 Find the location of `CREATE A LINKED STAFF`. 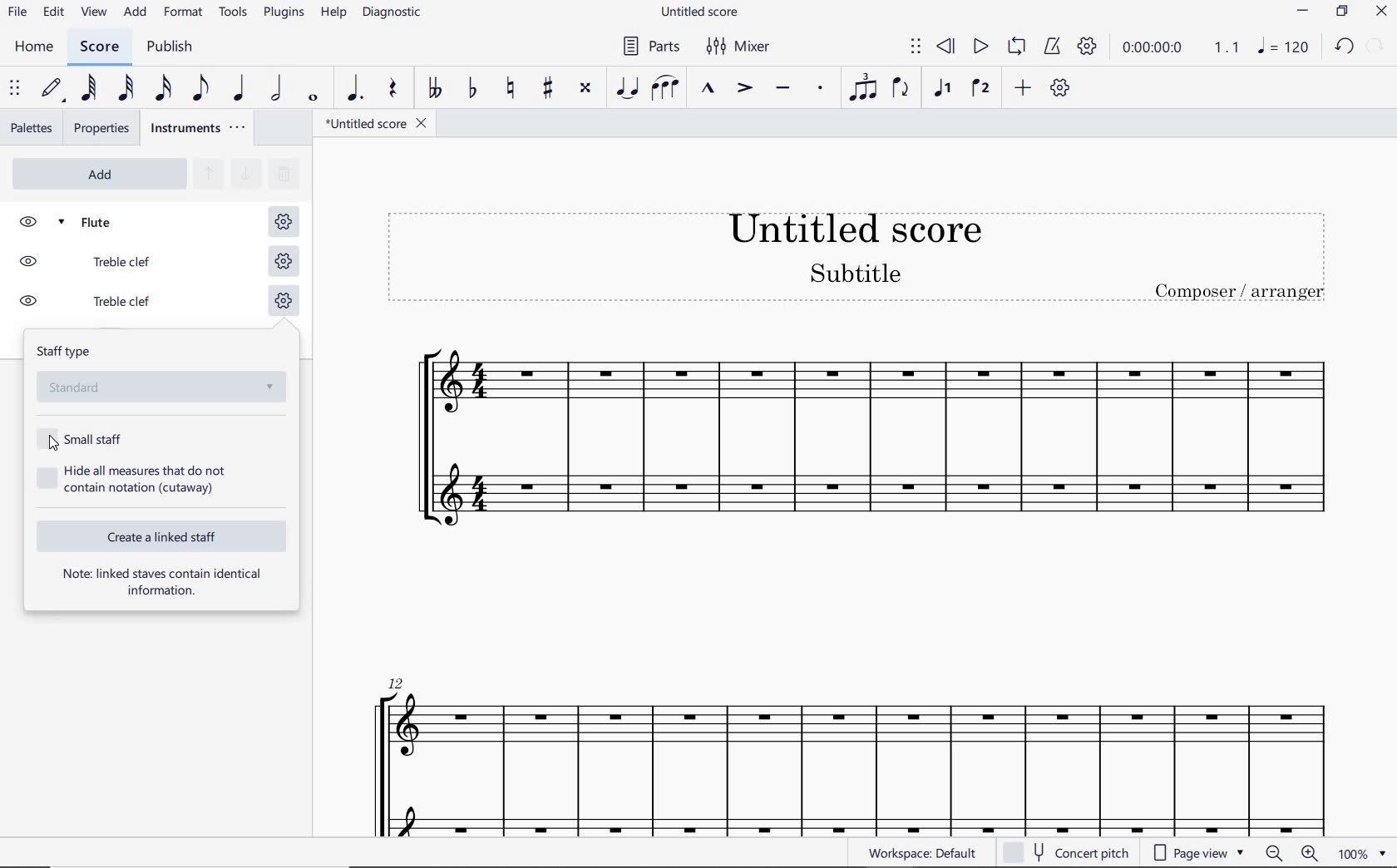

CREATE A LINKED STAFF is located at coordinates (165, 536).